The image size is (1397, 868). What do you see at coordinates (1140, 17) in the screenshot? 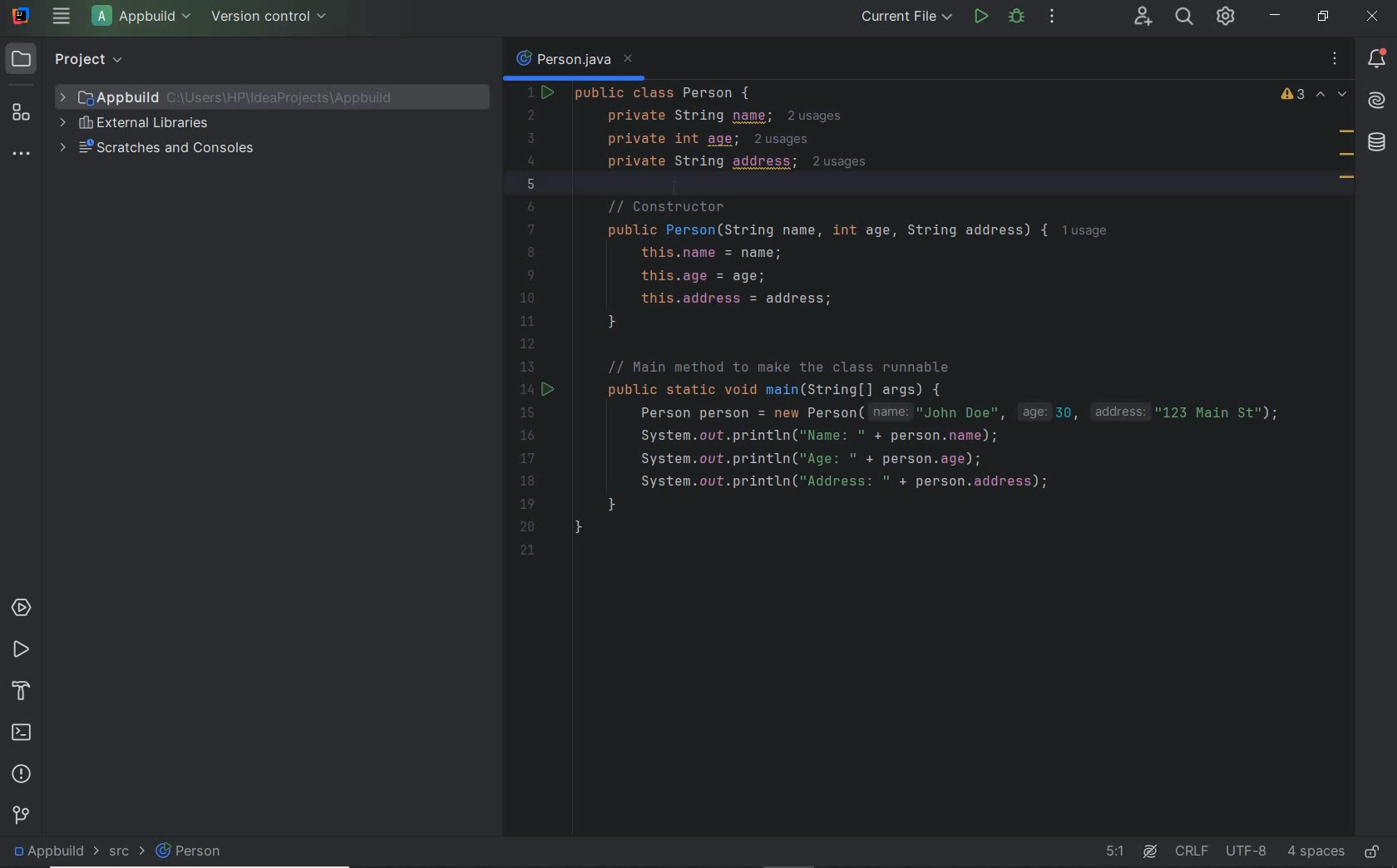
I see `code with me` at bounding box center [1140, 17].